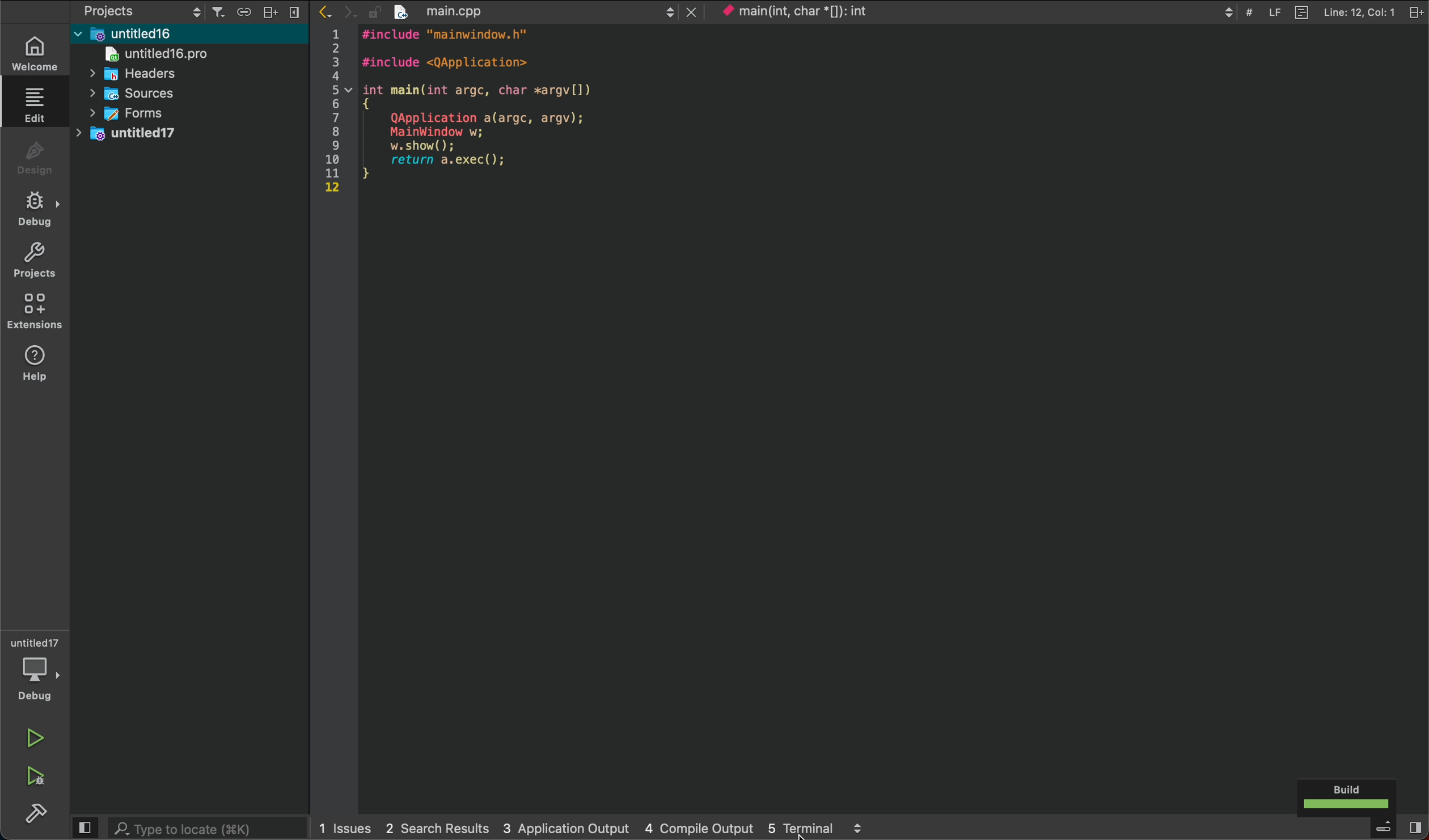  I want to click on close sidebar, so click(1414, 828).